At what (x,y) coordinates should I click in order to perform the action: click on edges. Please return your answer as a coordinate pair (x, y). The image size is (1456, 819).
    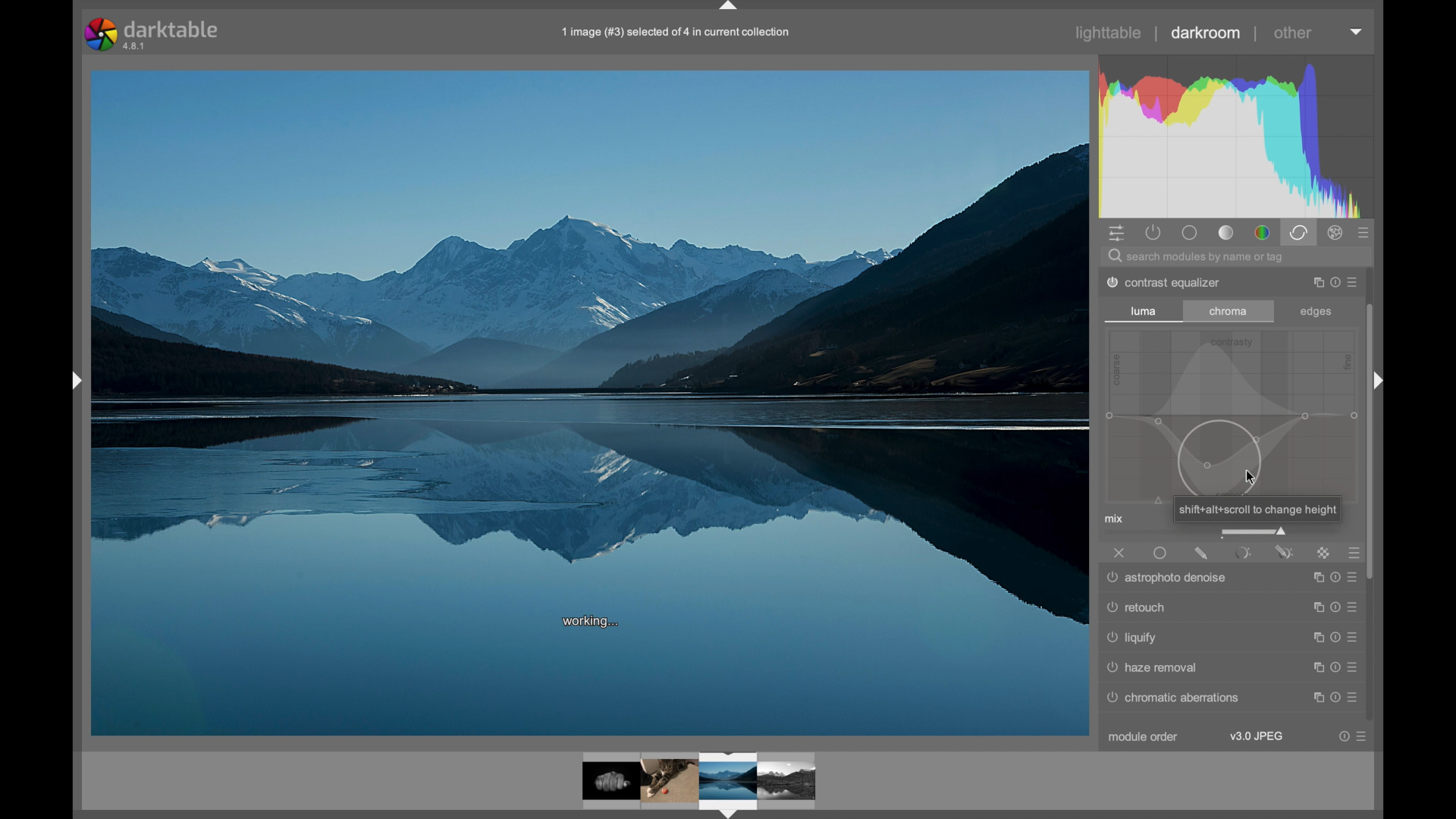
    Looking at the image, I should click on (1316, 312).